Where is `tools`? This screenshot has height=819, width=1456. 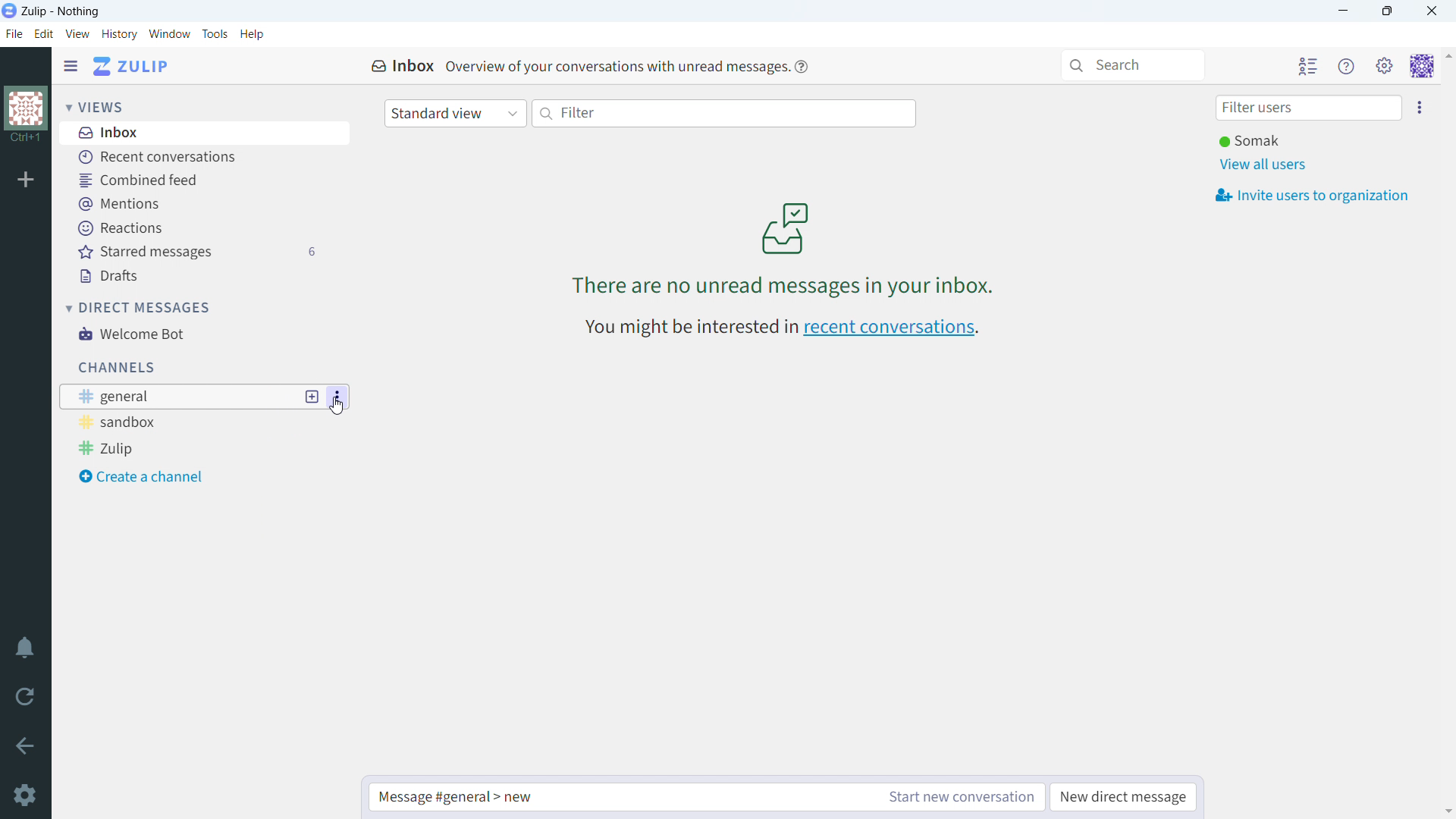 tools is located at coordinates (215, 34).